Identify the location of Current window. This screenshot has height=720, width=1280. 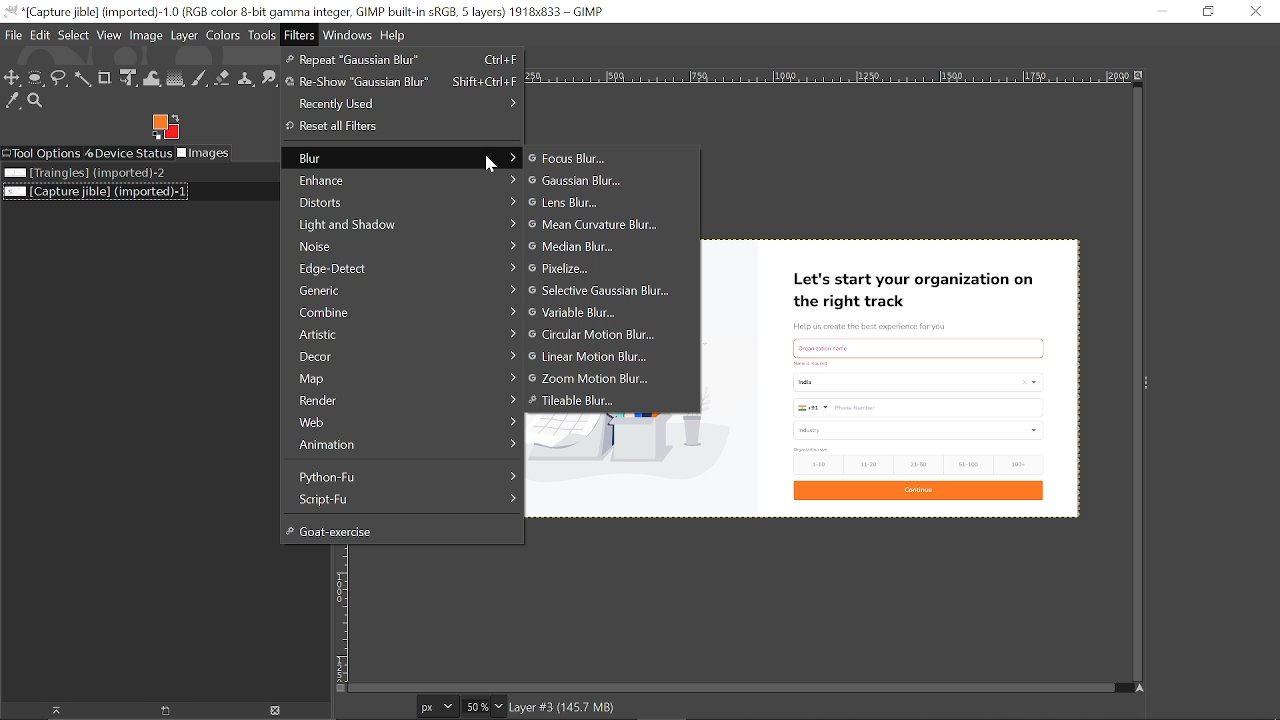
(306, 11).